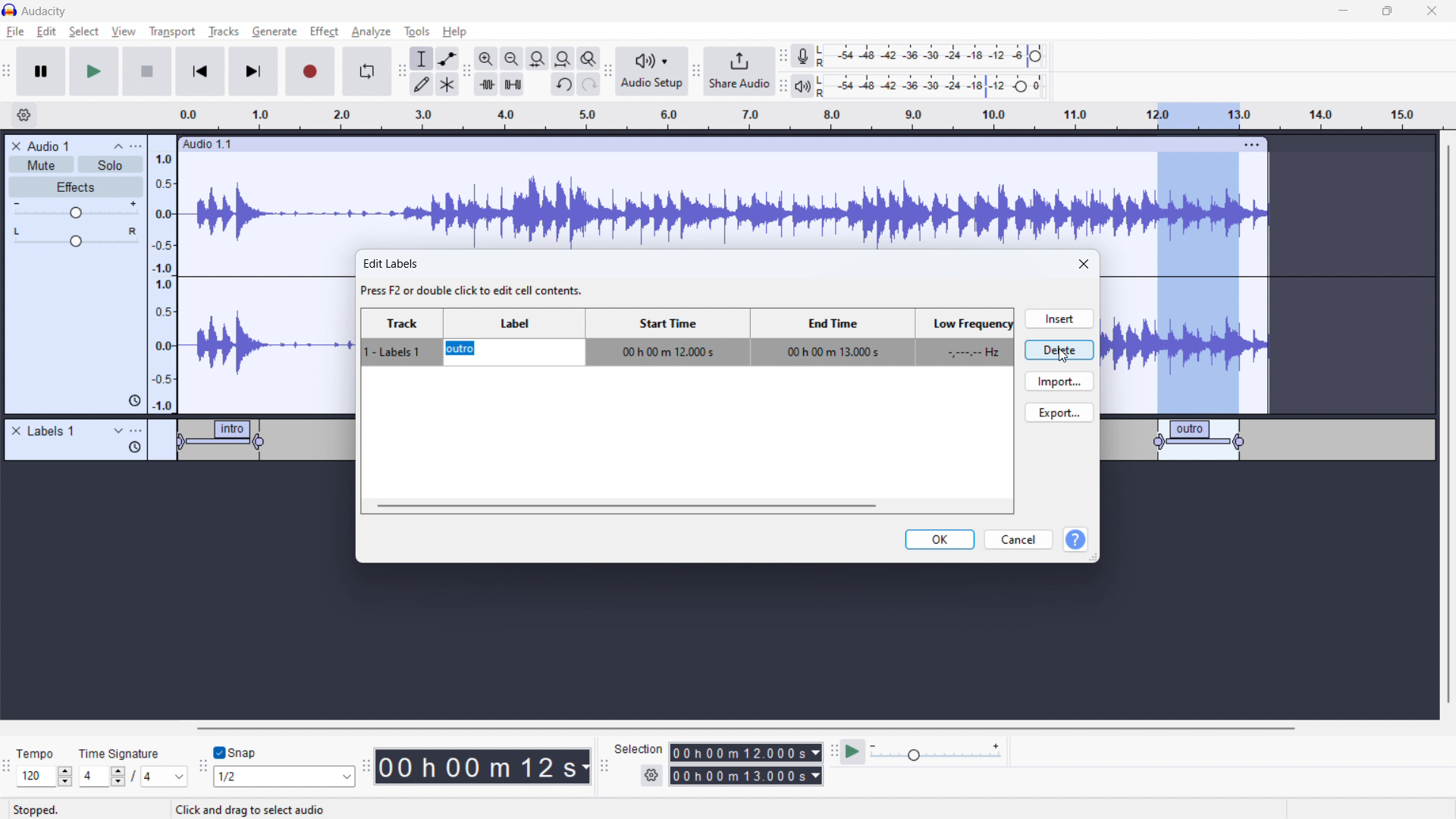 This screenshot has width=1456, height=819. Describe the element at coordinates (1432, 11) in the screenshot. I see `close` at that location.